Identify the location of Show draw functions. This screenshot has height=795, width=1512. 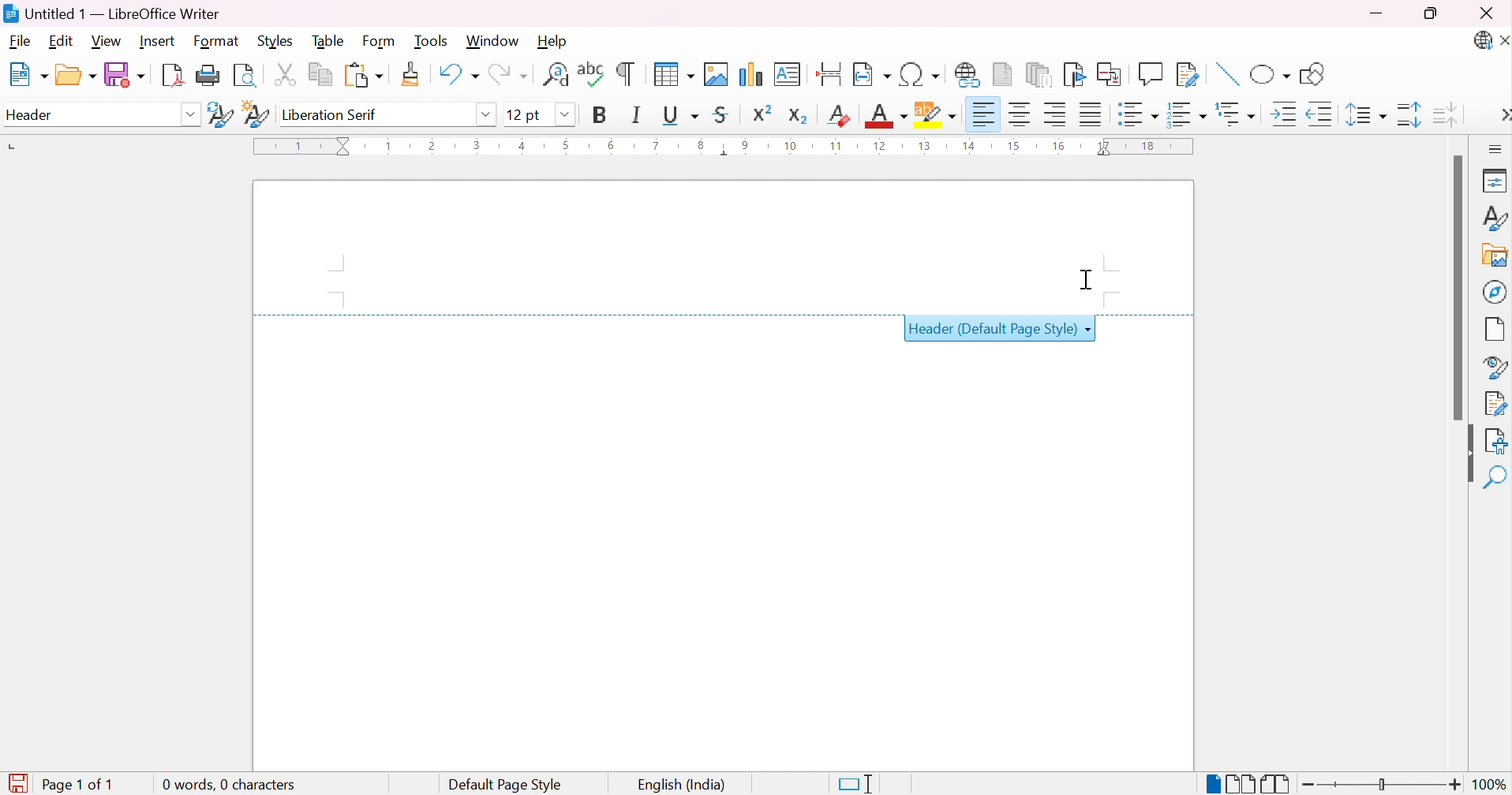
(1311, 75).